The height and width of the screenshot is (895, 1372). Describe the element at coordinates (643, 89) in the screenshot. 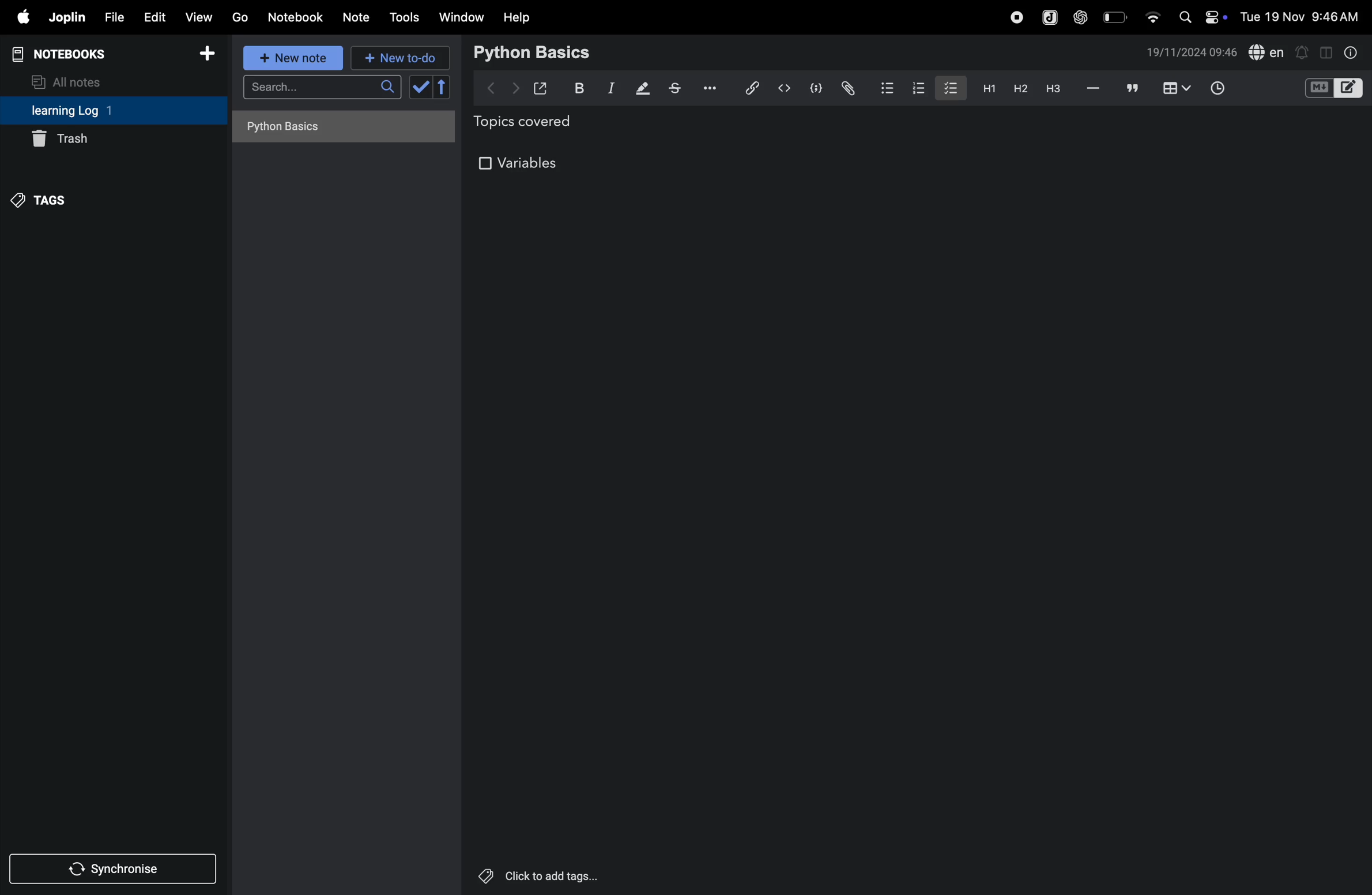

I see `displaying` at that location.